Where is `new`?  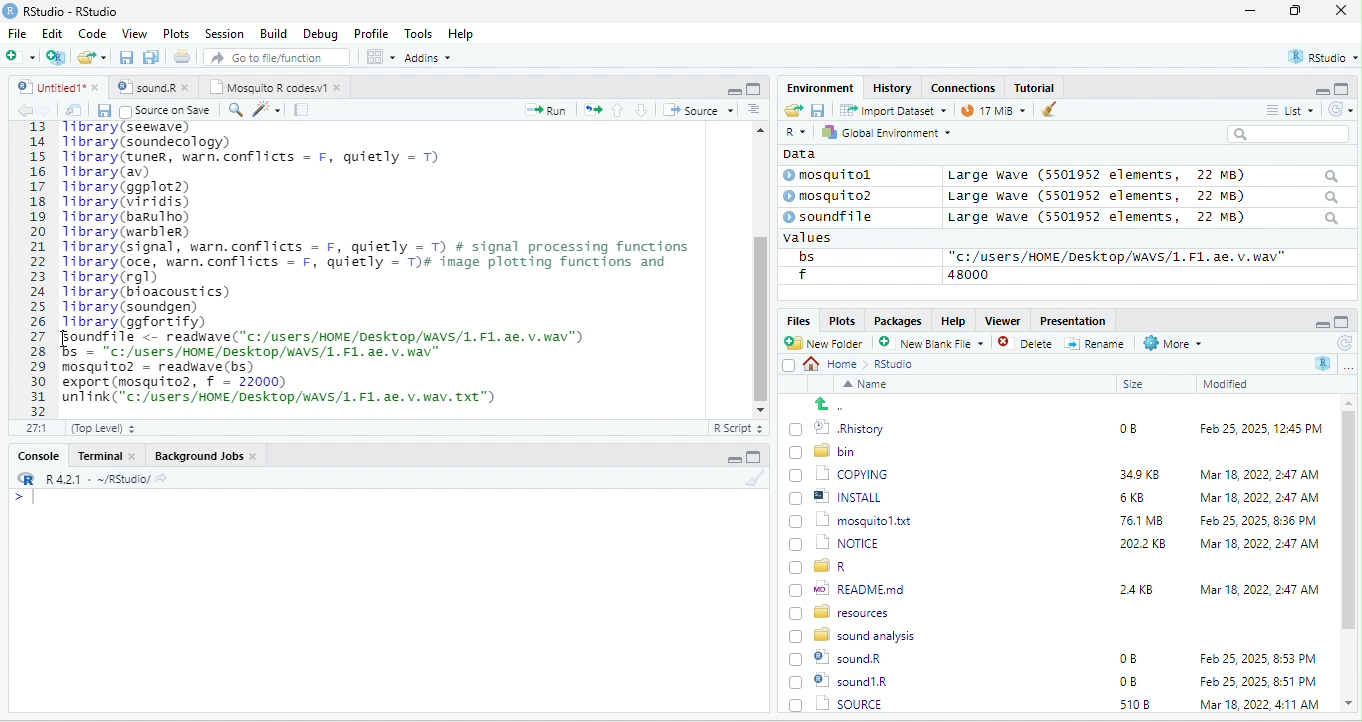 new is located at coordinates (20, 55).